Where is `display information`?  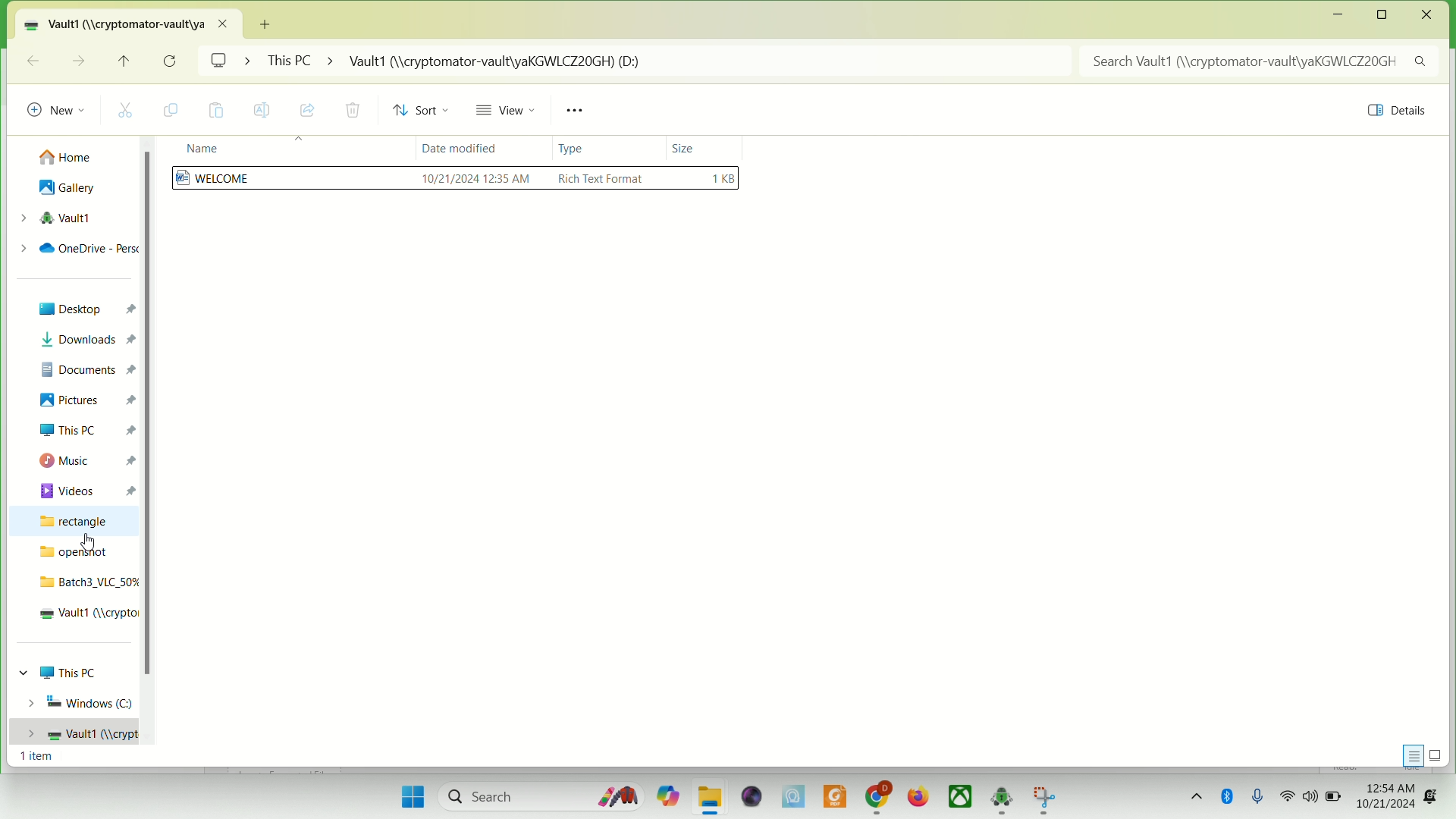
display information is located at coordinates (1411, 753).